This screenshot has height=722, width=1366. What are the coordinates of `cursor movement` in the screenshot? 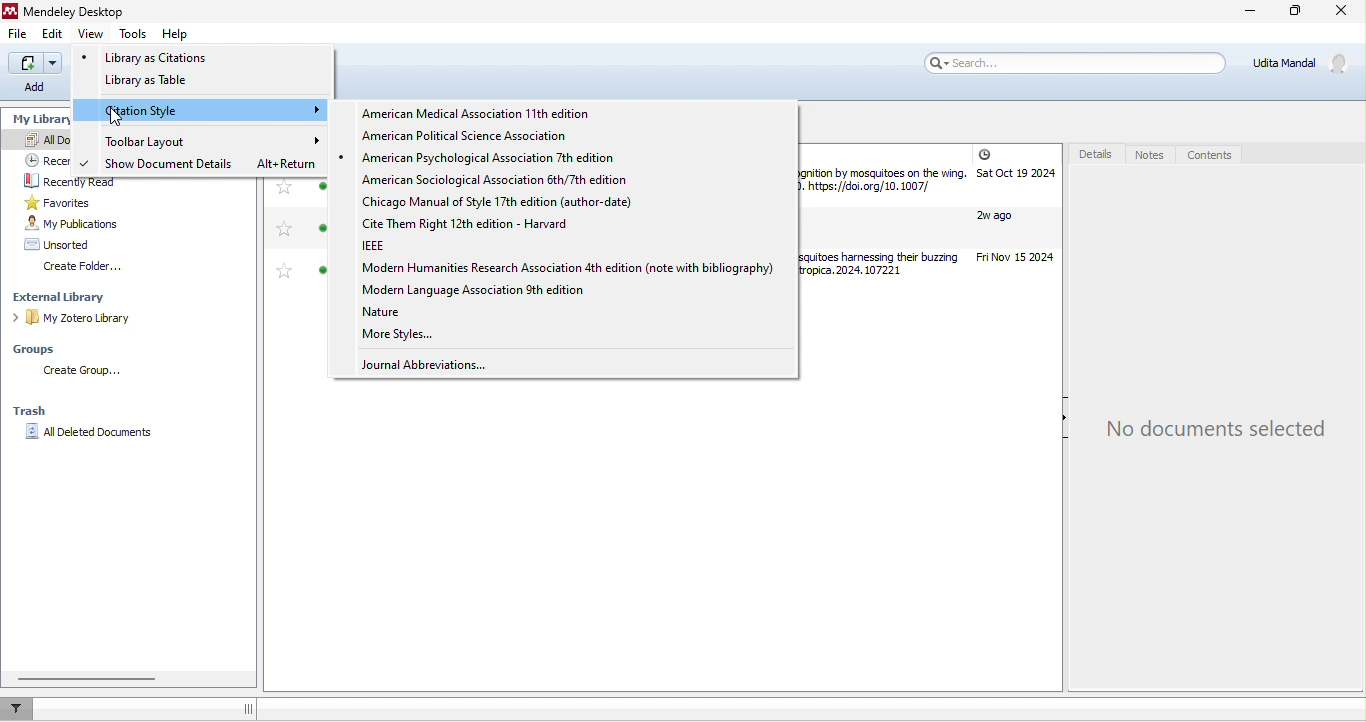 It's located at (121, 117).